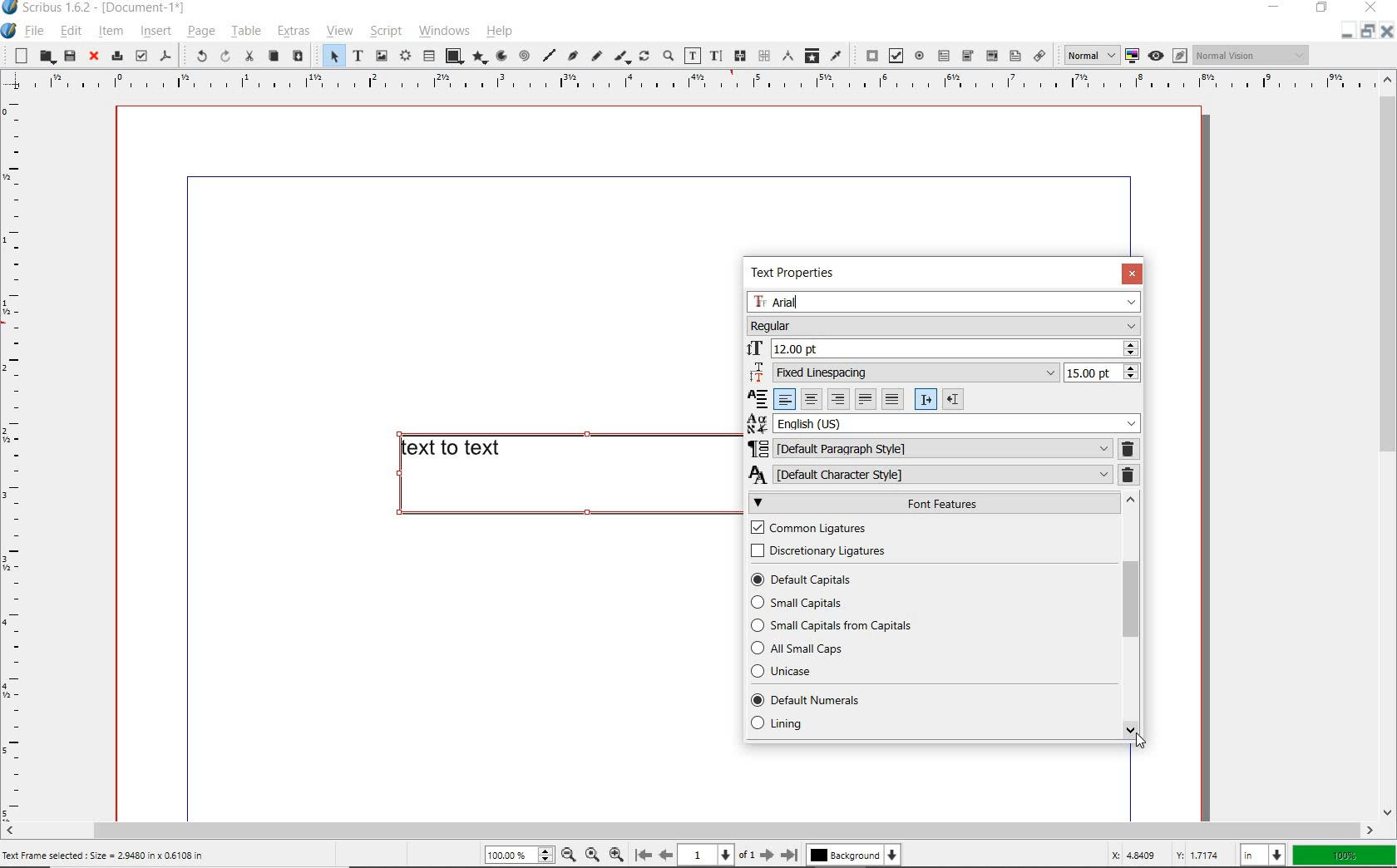 This screenshot has height=868, width=1397. What do you see at coordinates (338, 33) in the screenshot?
I see `view` at bounding box center [338, 33].